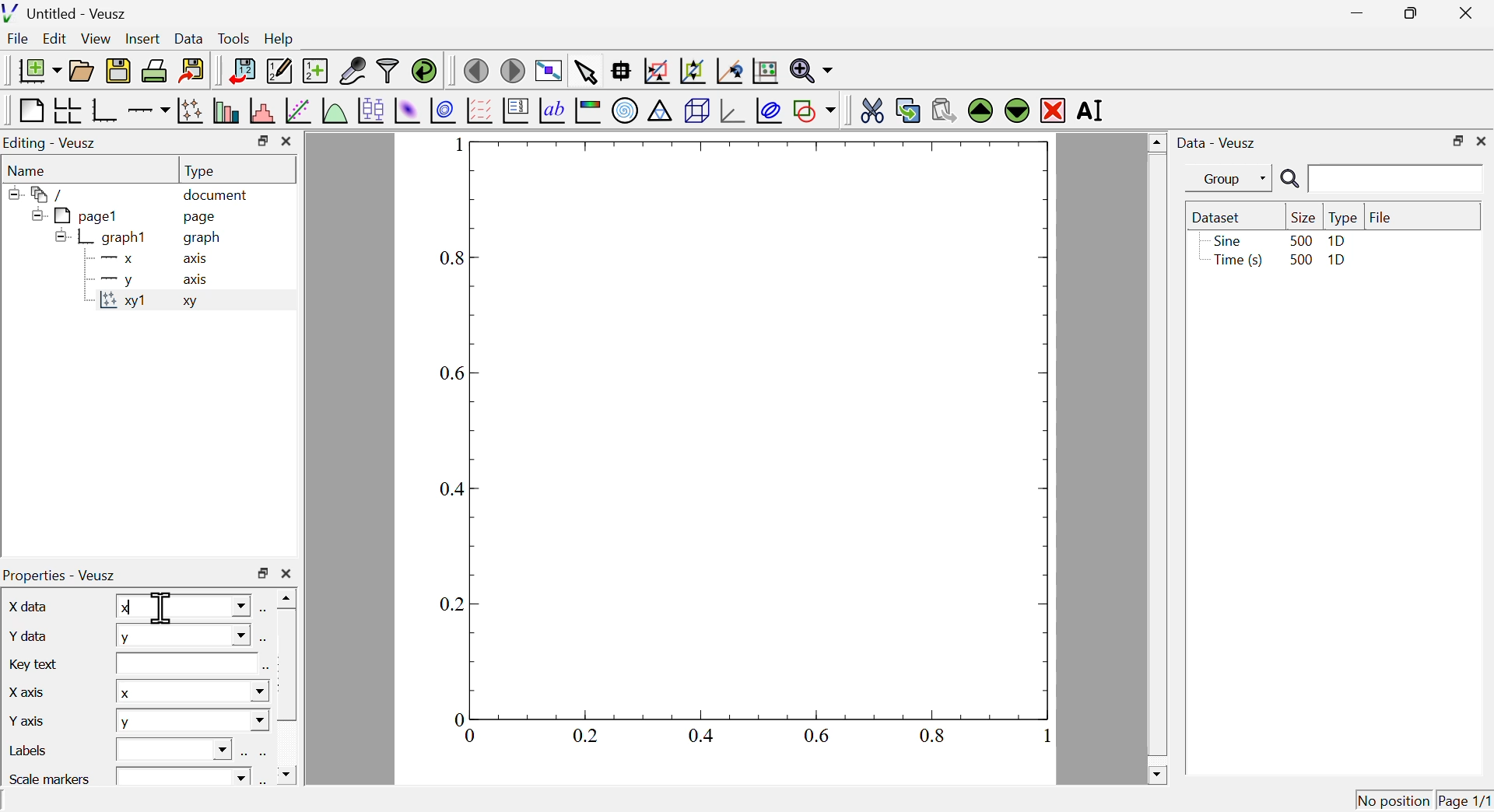 The width and height of the screenshot is (1494, 812). I want to click on type, so click(1343, 218).